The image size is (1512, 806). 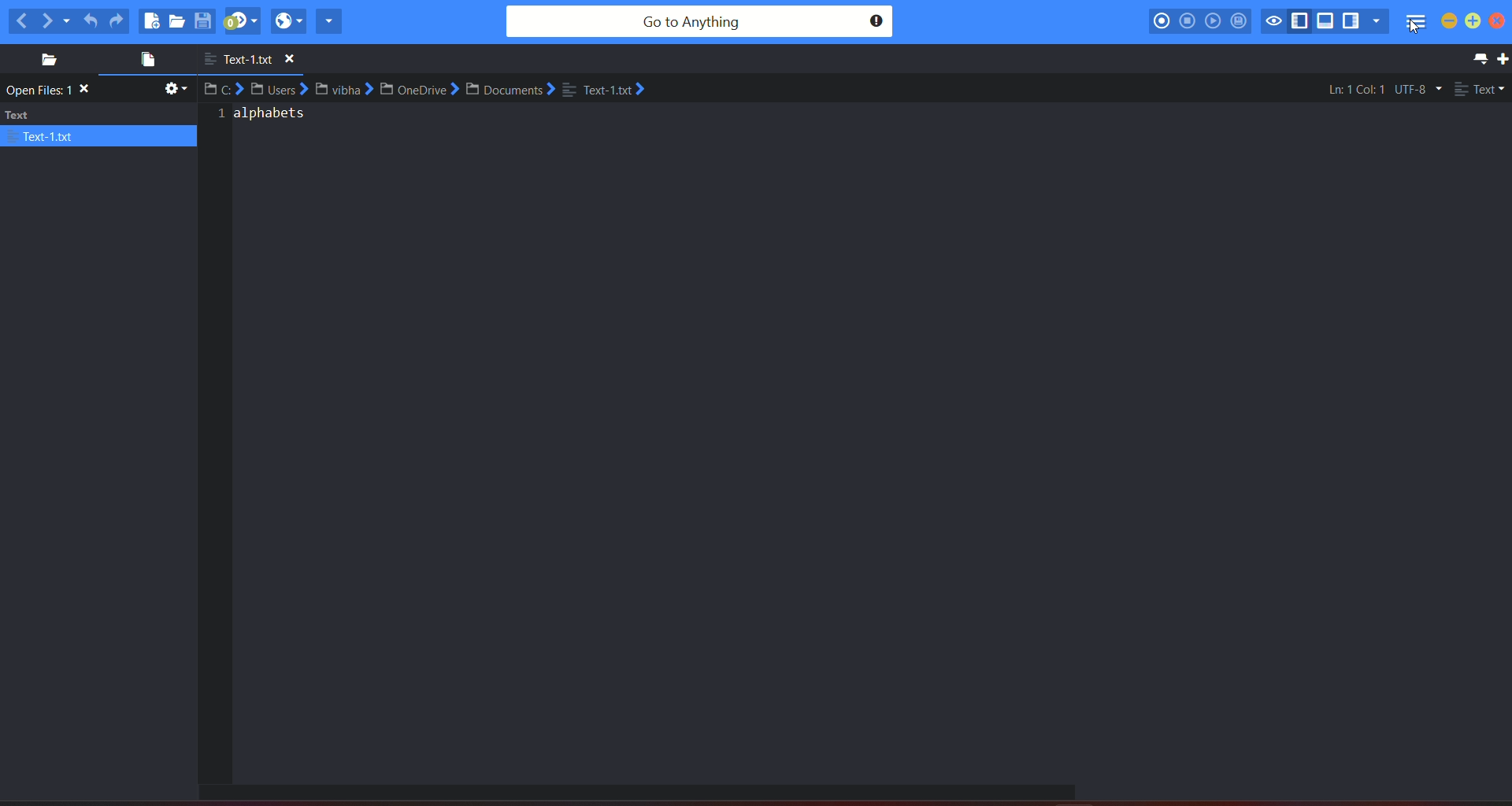 I want to click on stop recording, so click(x=1186, y=20).